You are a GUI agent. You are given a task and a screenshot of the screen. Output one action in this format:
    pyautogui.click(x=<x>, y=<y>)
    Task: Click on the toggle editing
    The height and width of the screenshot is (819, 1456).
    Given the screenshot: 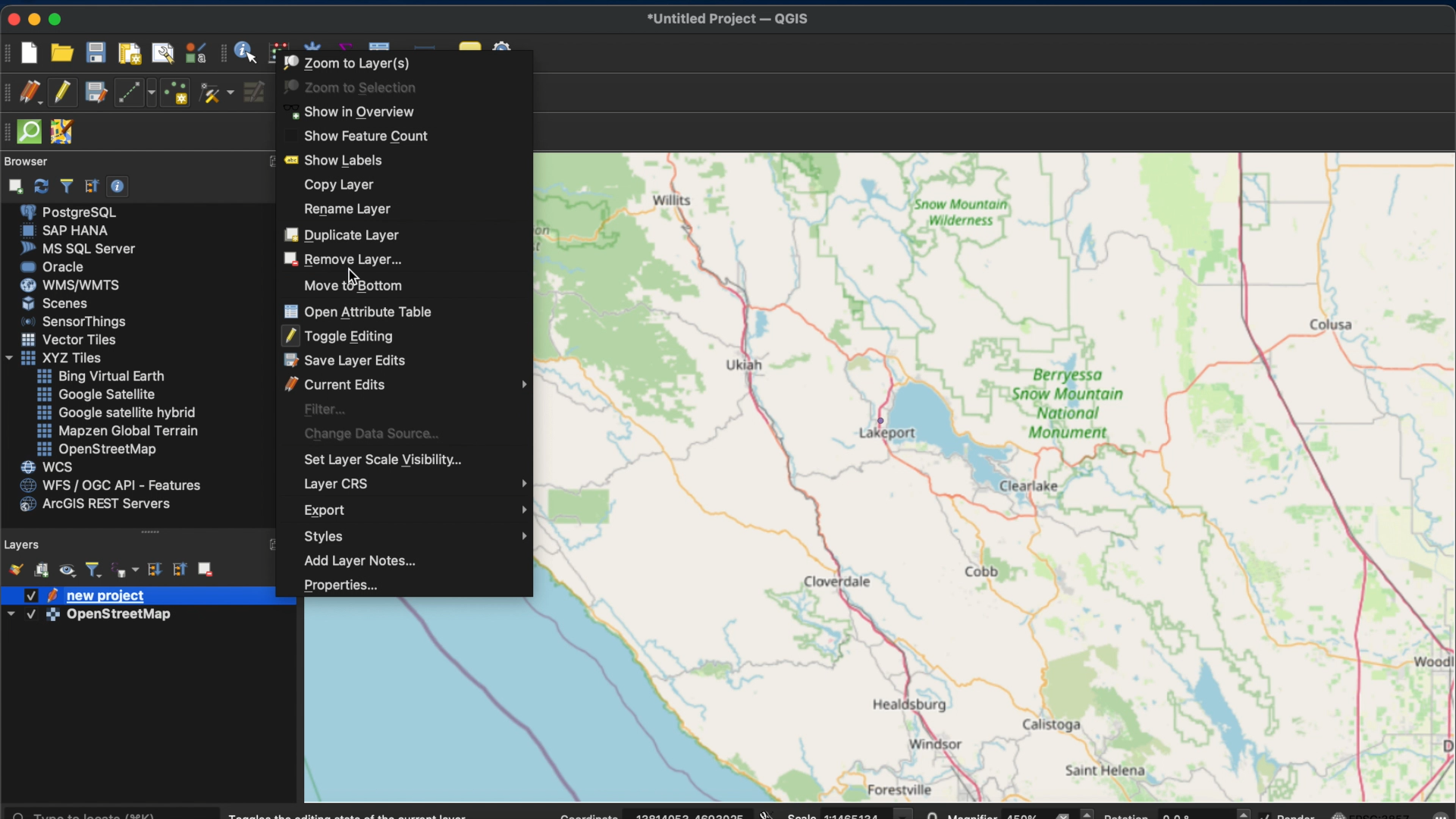 What is the action you would take?
    pyautogui.click(x=337, y=335)
    